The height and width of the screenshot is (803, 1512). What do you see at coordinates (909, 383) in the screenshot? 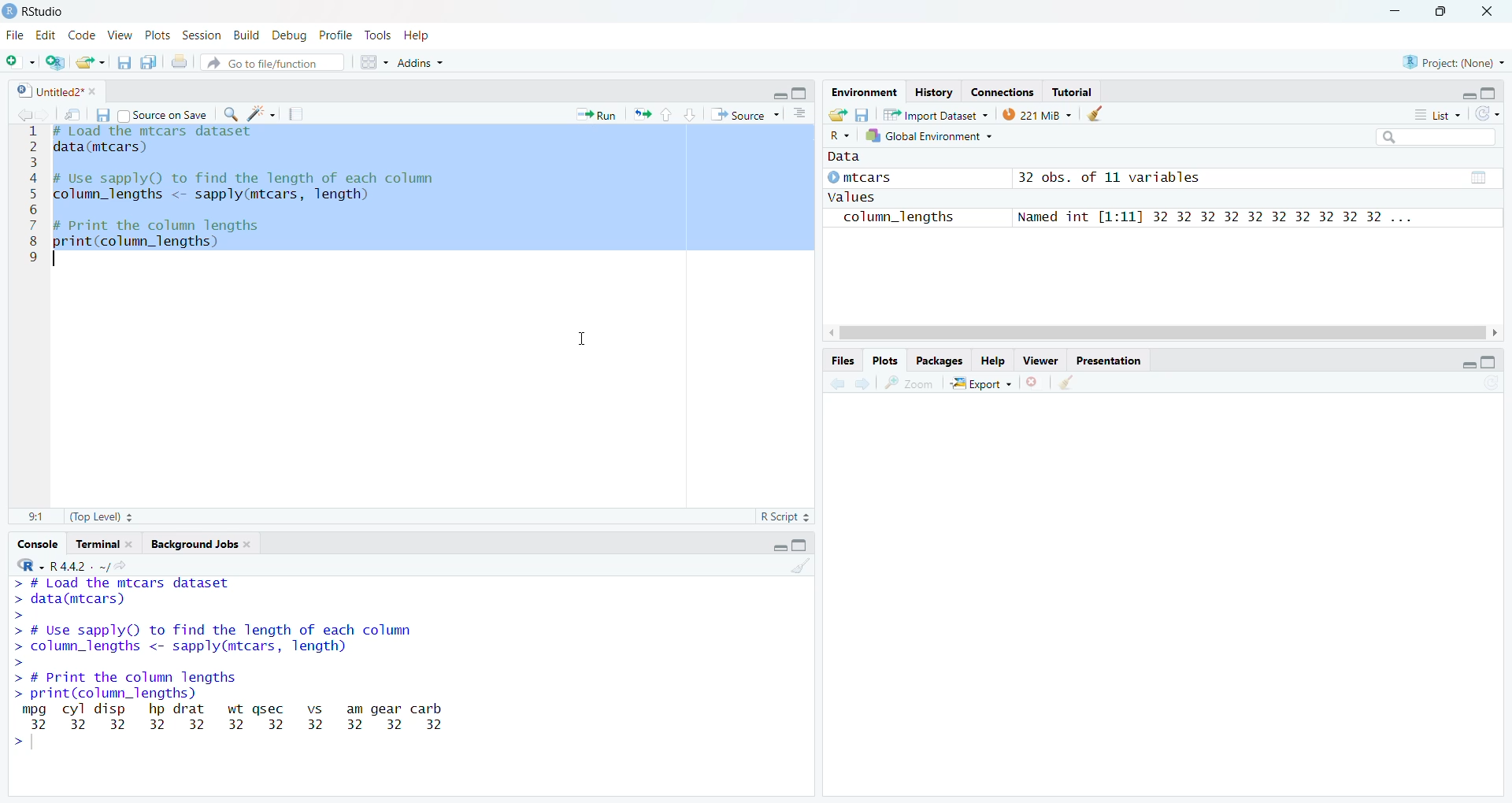
I see `Zoom` at bounding box center [909, 383].